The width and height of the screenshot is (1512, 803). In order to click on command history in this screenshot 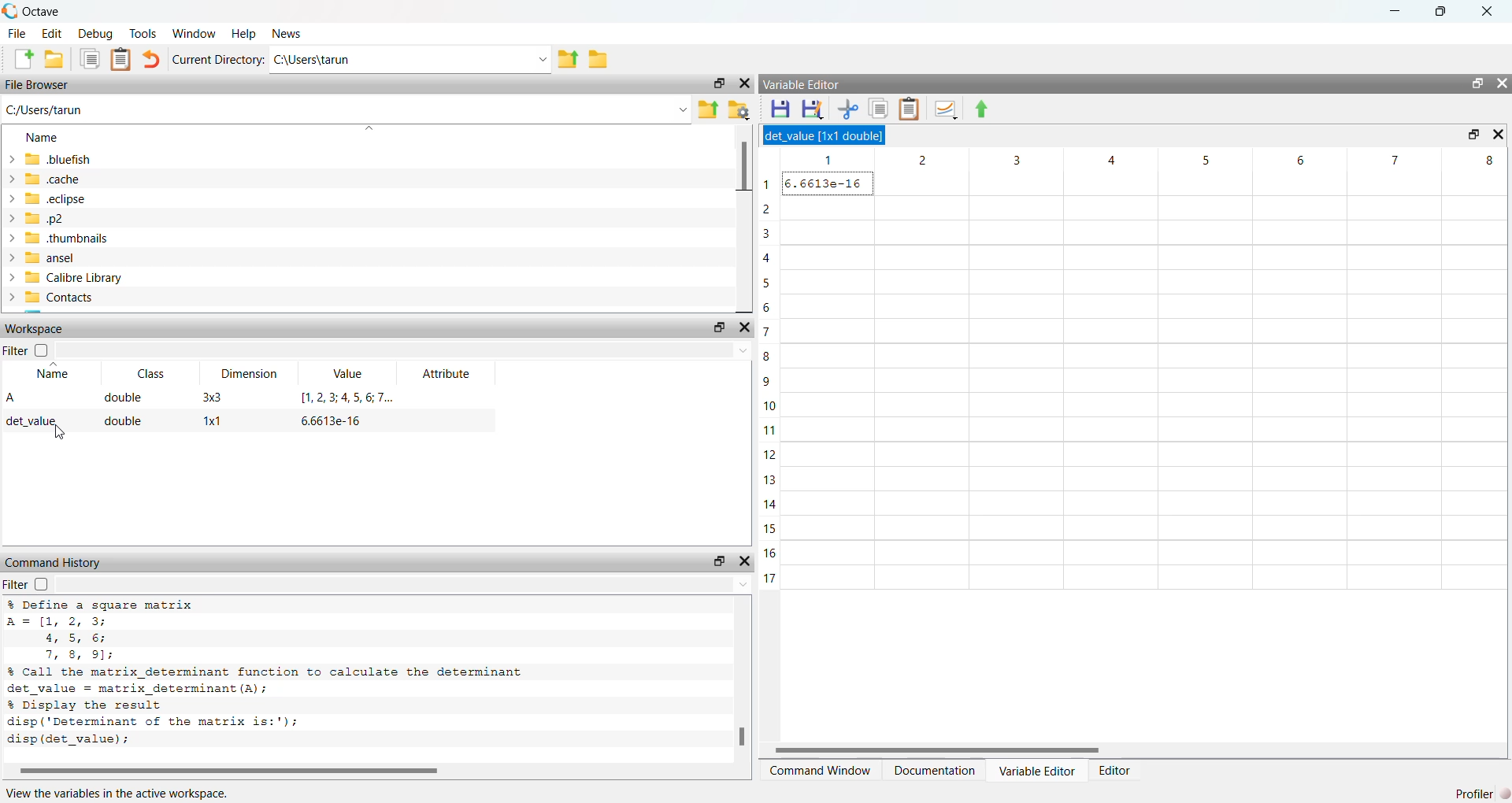, I will do `click(58, 564)`.